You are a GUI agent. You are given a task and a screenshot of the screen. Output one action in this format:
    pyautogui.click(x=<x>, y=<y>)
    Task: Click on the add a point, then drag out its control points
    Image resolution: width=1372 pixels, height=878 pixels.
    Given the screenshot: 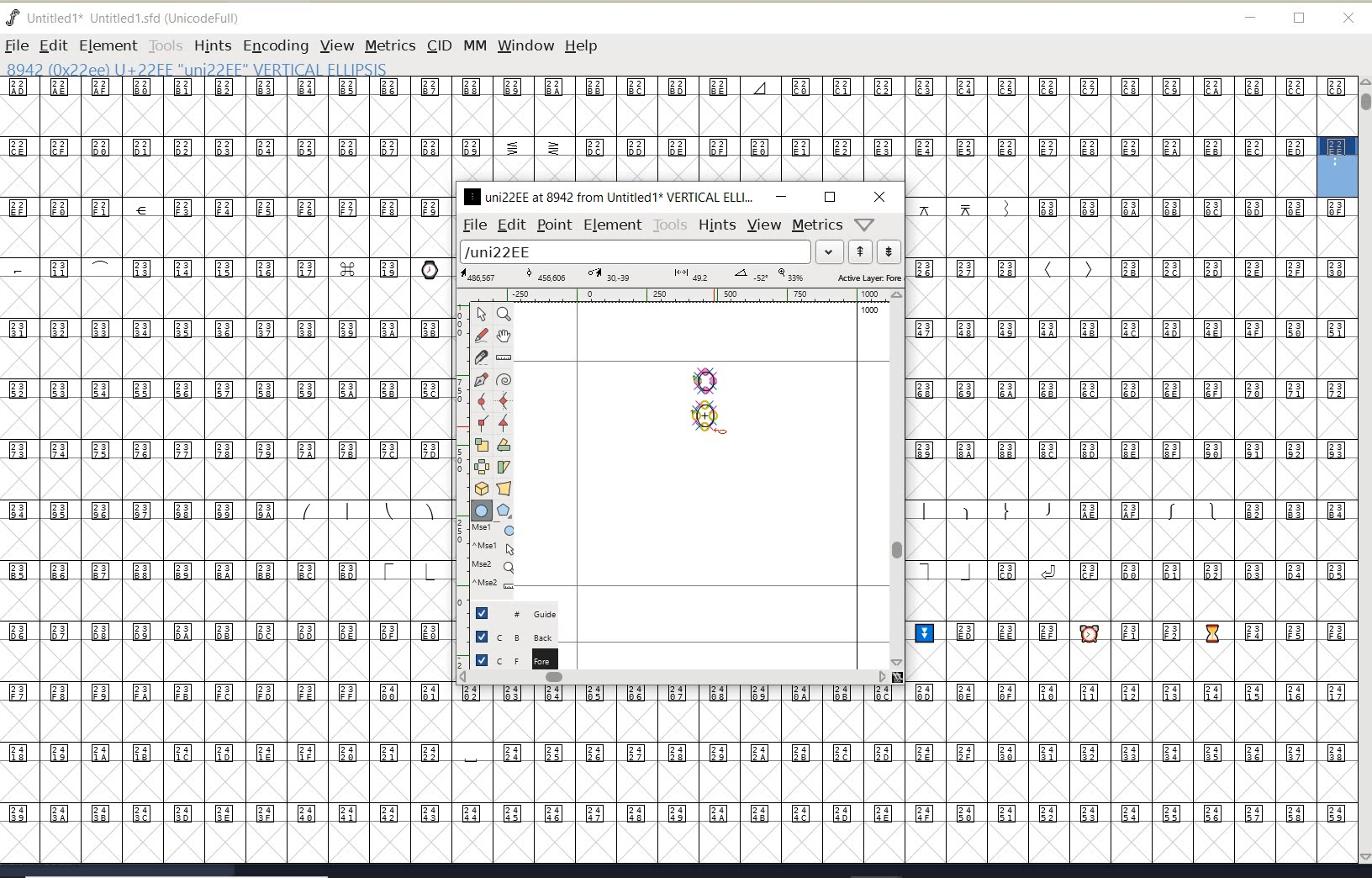 What is the action you would take?
    pyautogui.click(x=481, y=378)
    